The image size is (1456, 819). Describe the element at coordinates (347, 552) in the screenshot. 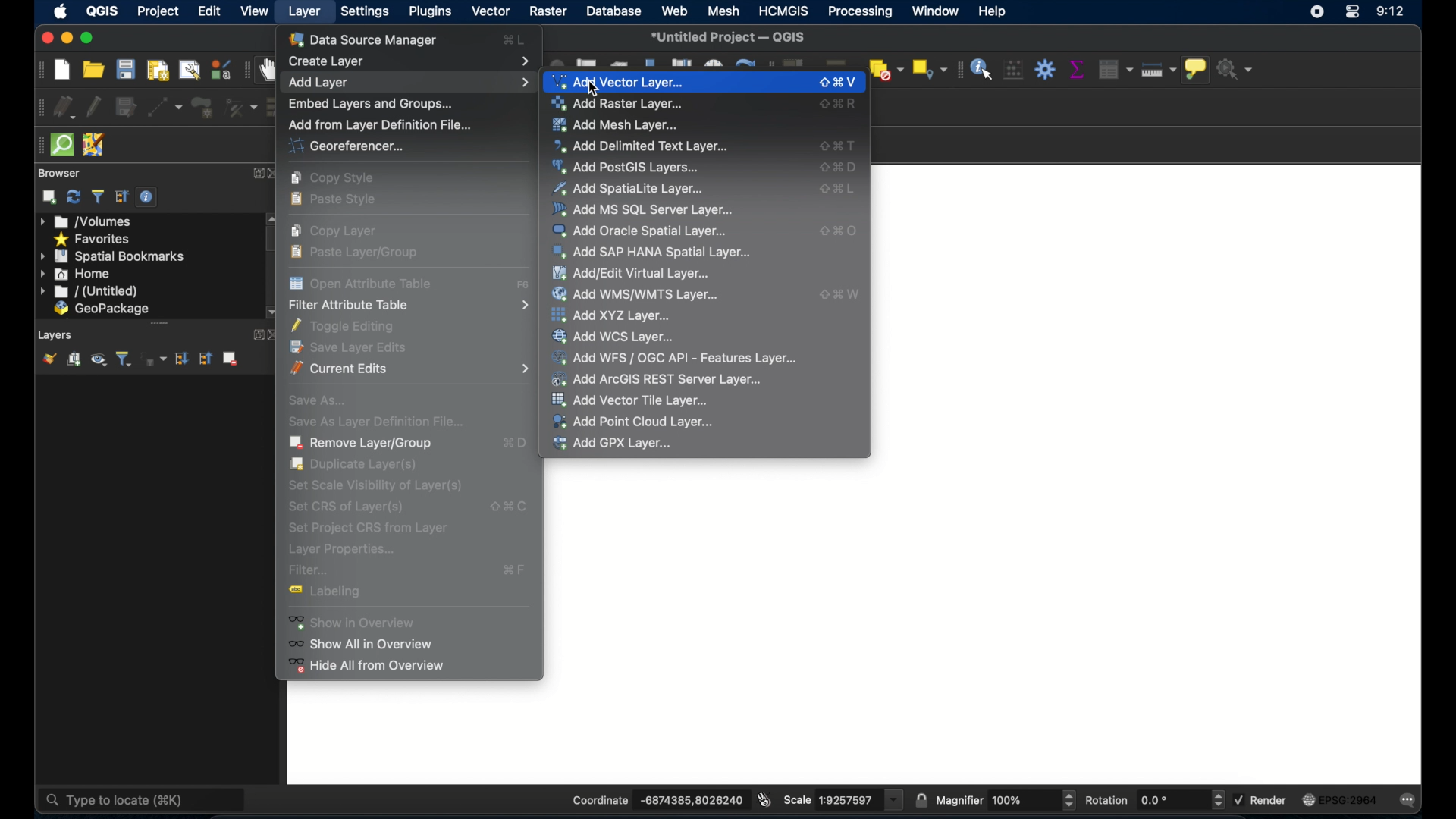

I see `Layer properties...` at that location.